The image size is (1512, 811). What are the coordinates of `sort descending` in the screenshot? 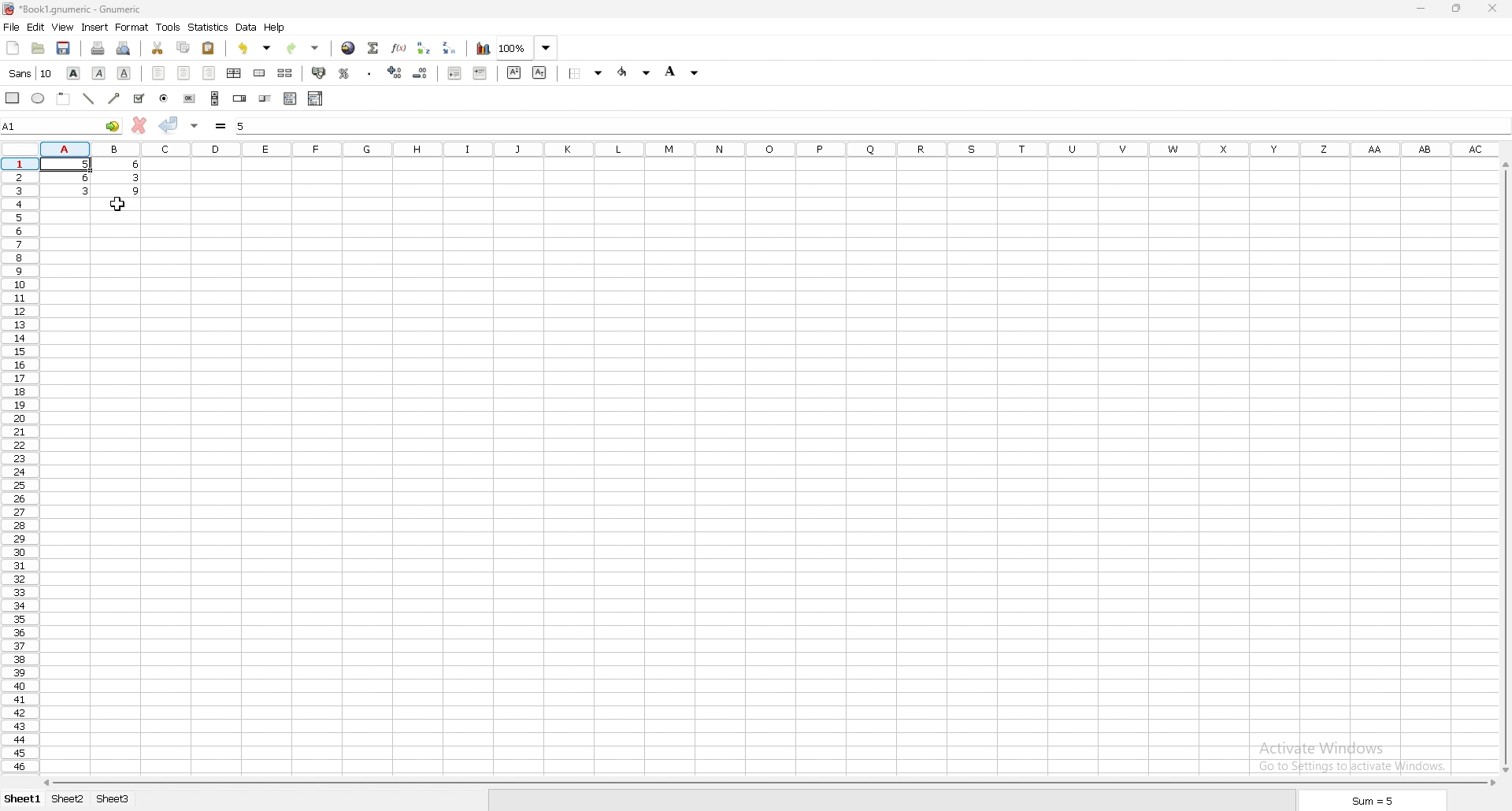 It's located at (450, 47).